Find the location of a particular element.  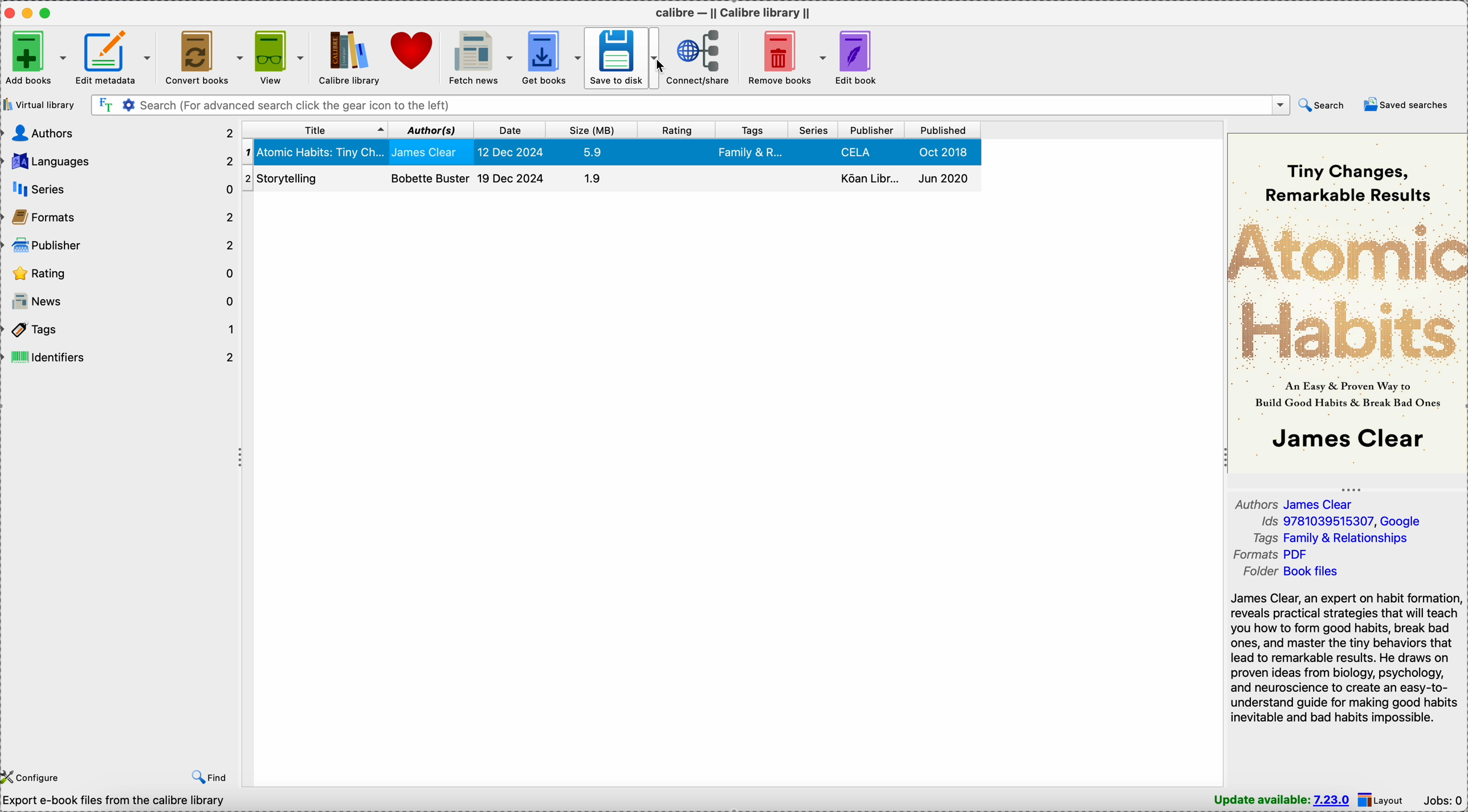

Calibre library is located at coordinates (349, 56).